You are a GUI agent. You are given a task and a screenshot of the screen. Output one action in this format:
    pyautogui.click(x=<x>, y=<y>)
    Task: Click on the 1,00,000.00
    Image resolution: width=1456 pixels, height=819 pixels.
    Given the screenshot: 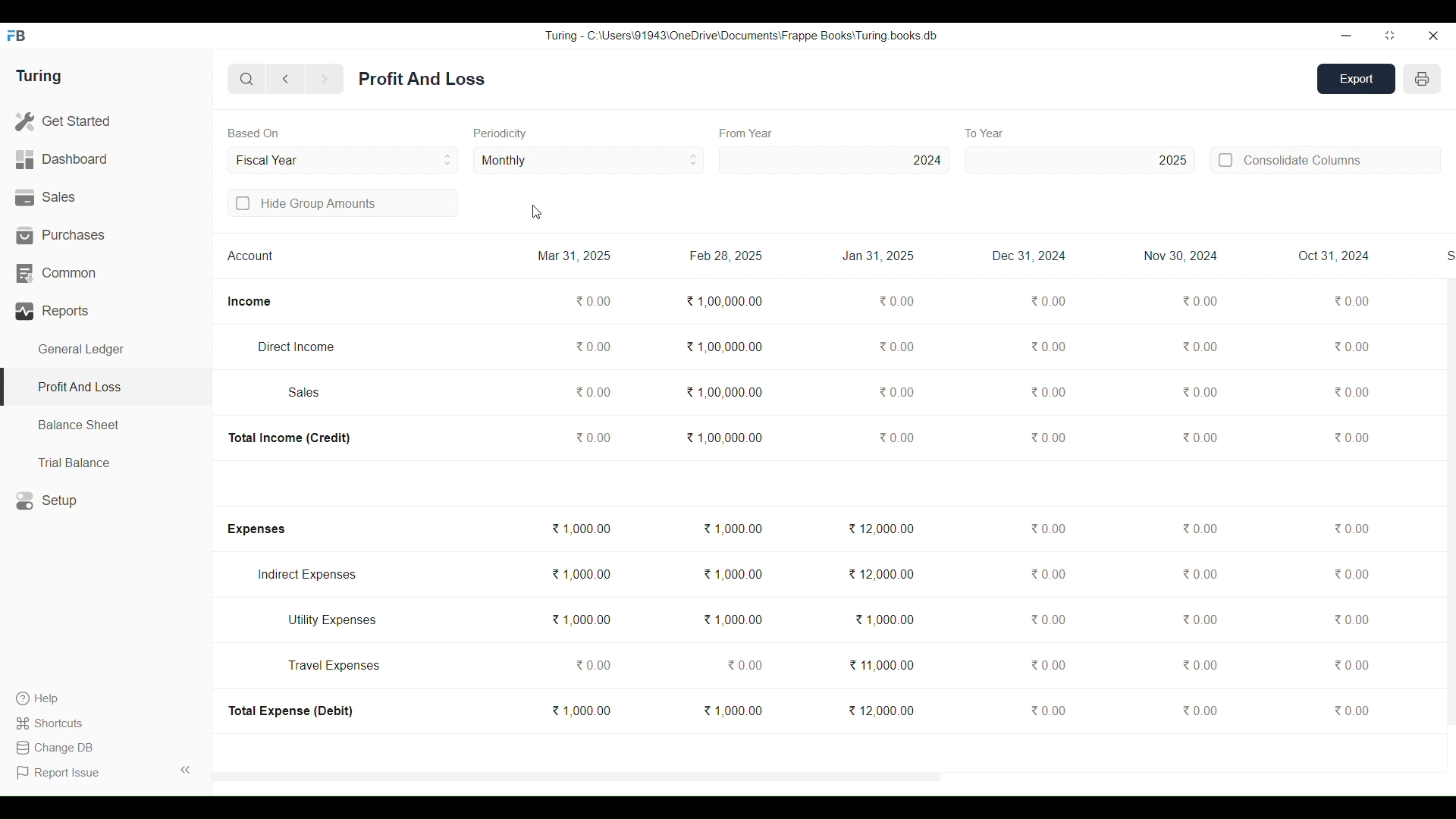 What is the action you would take?
    pyautogui.click(x=723, y=437)
    